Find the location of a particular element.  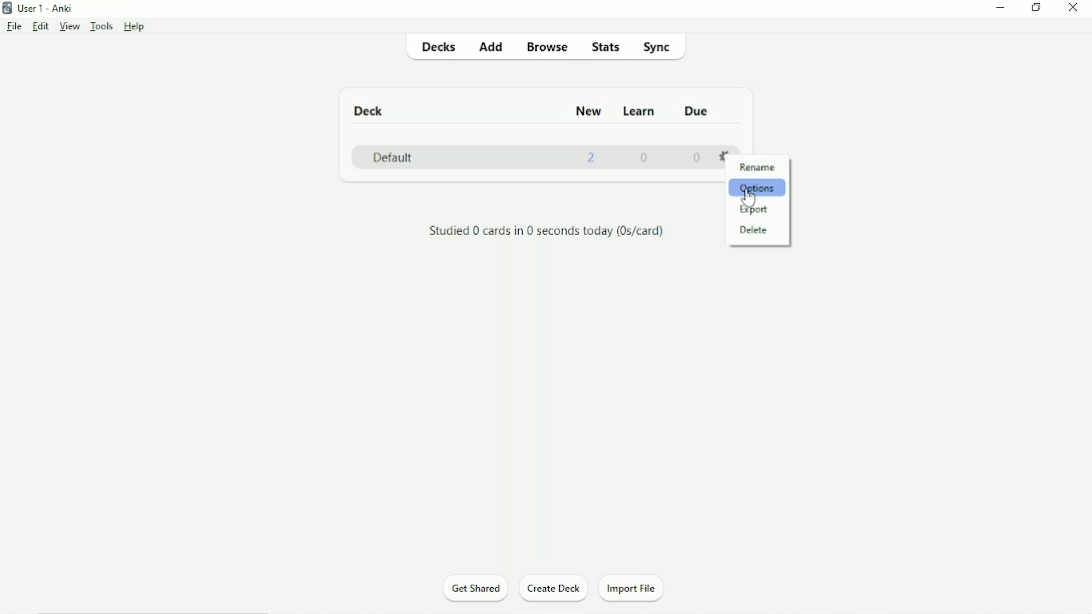

User 1 - Anki is located at coordinates (45, 8).